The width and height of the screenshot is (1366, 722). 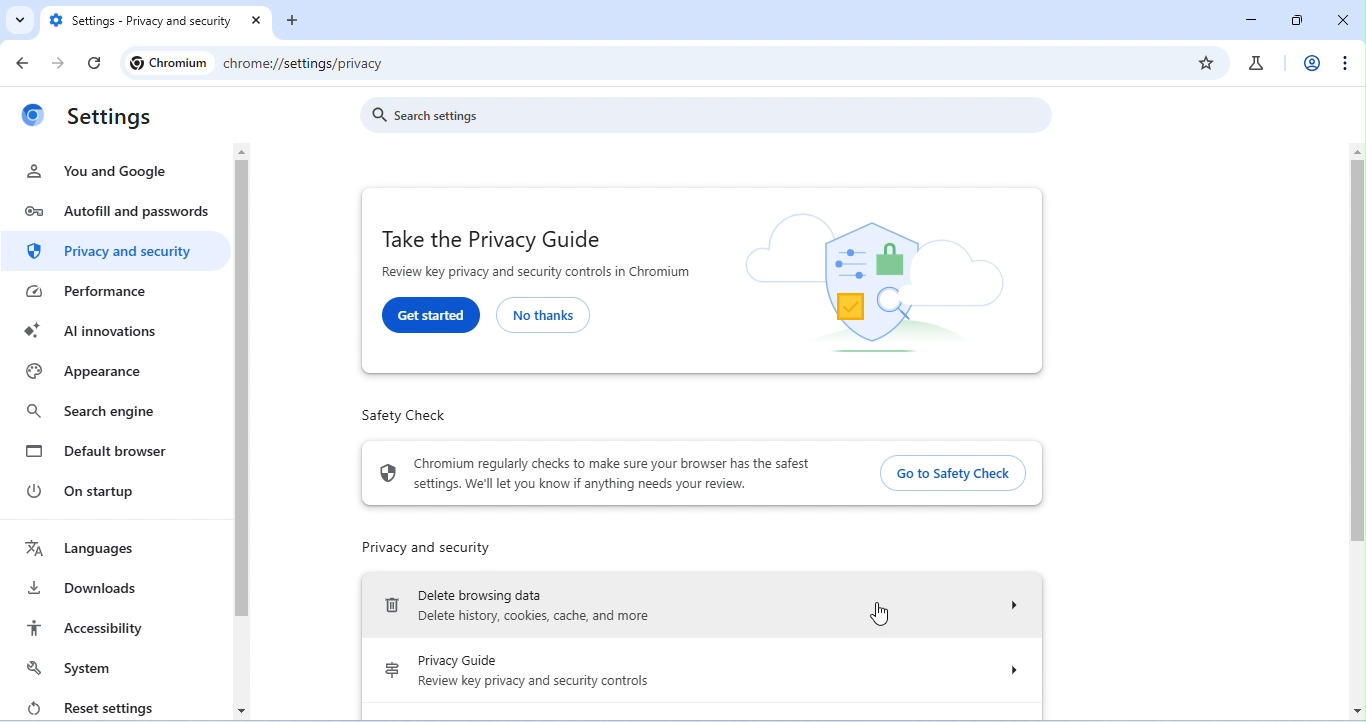 I want to click on review key privacy and security controls, so click(x=534, y=681).